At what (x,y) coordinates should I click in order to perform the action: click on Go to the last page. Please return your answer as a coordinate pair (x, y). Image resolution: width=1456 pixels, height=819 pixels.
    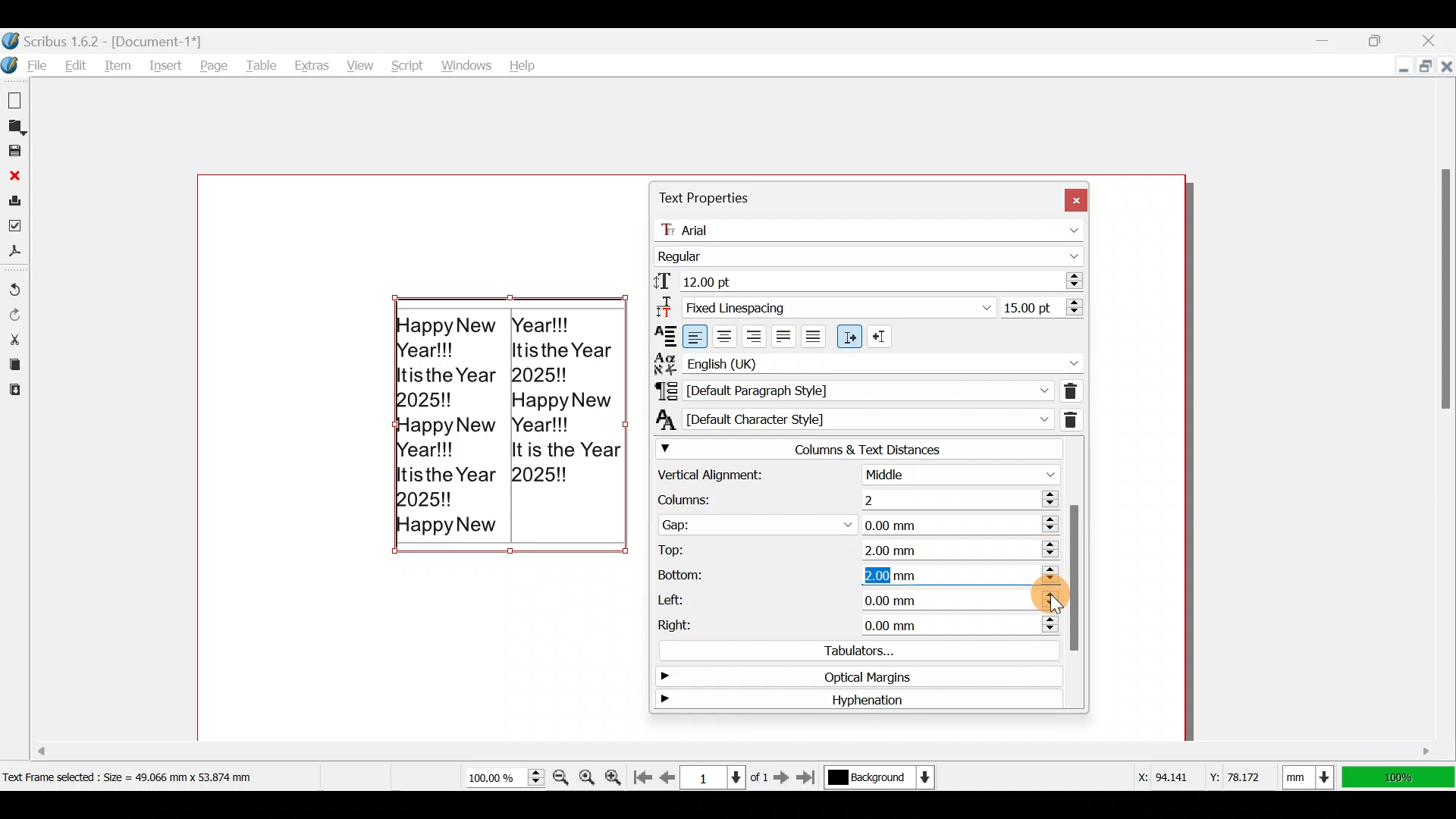
    Looking at the image, I should click on (810, 777).